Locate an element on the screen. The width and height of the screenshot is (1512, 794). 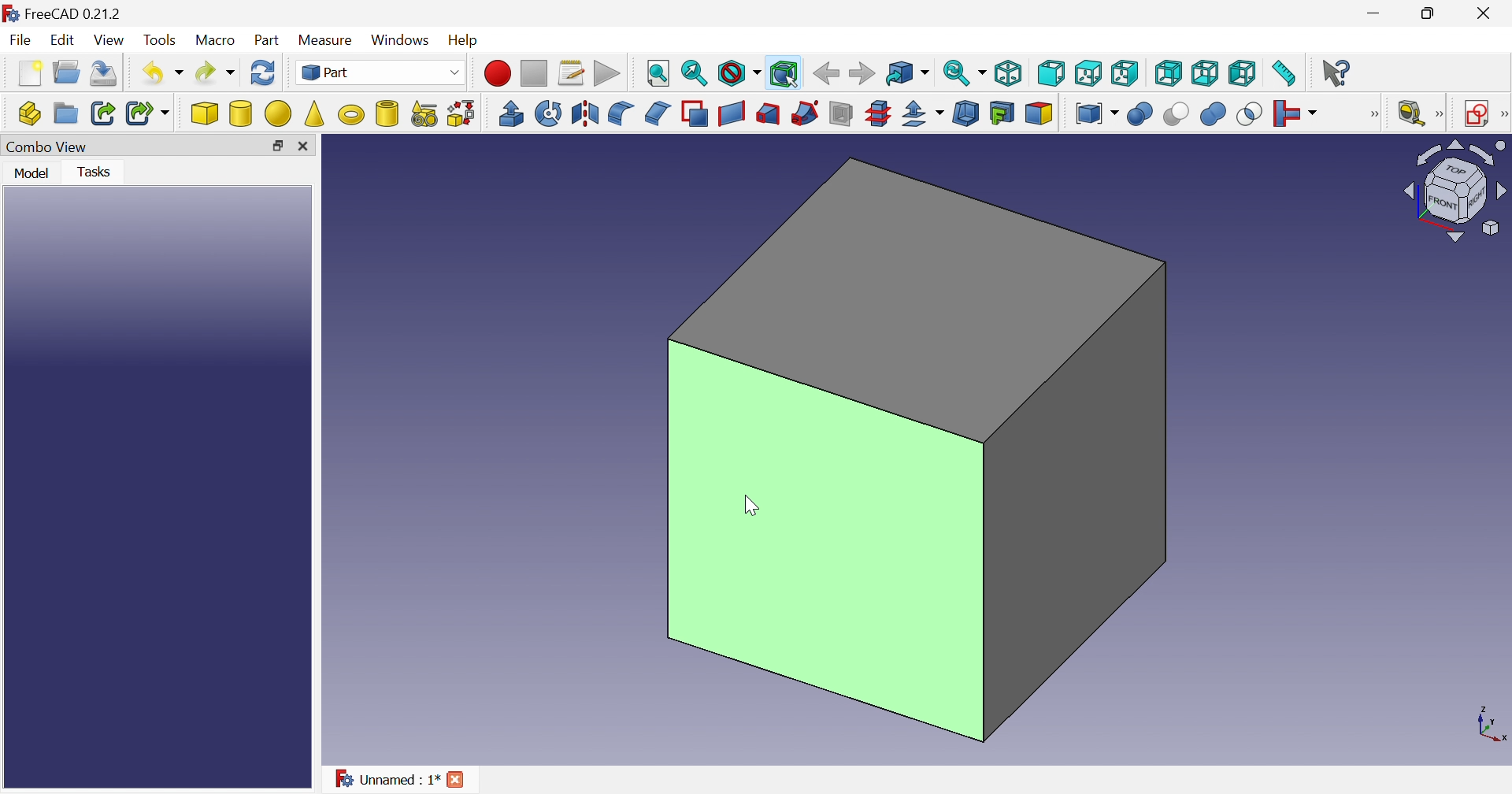
Revolve... is located at coordinates (548, 113).